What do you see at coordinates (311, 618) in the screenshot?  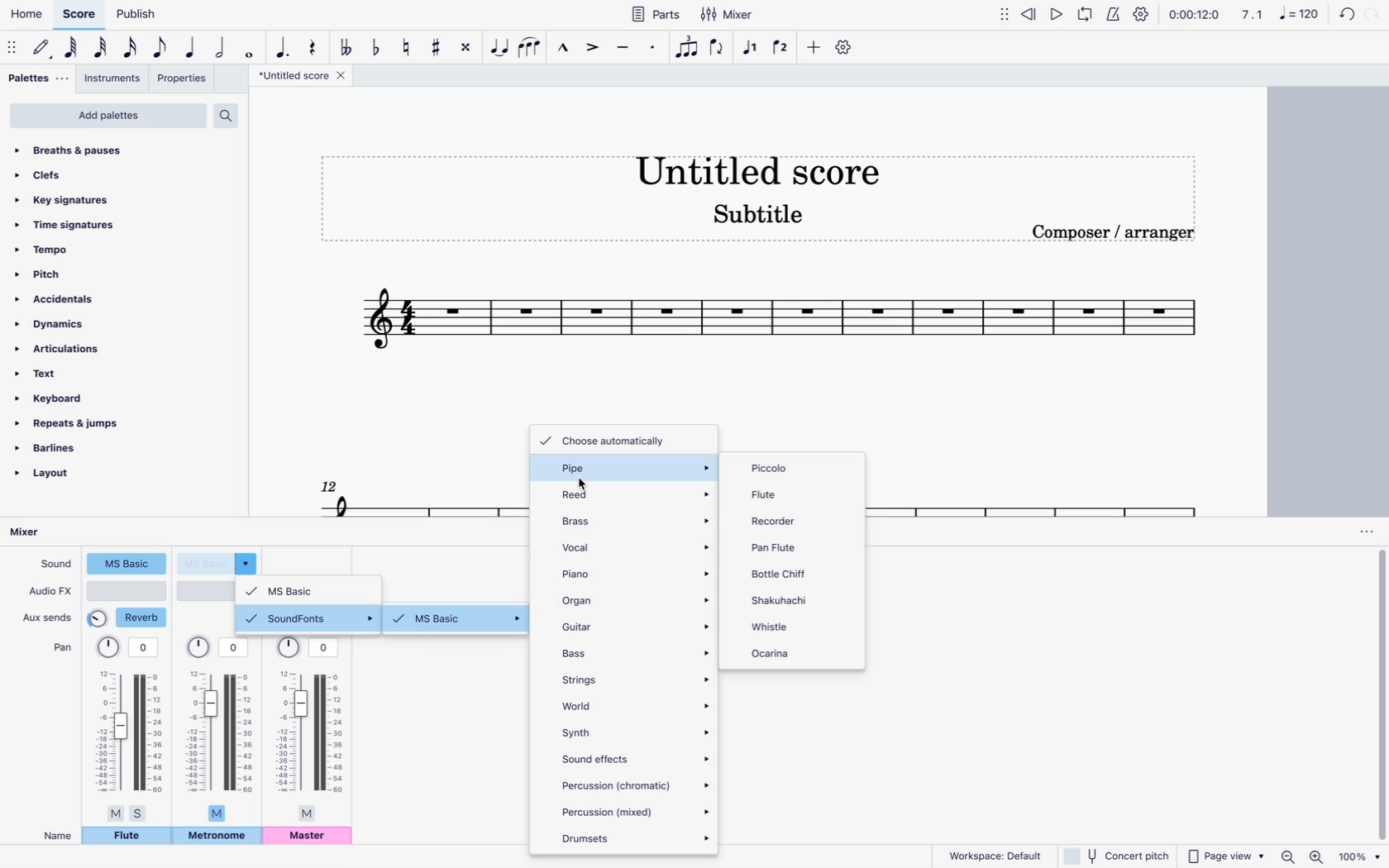 I see `soundfonts` at bounding box center [311, 618].